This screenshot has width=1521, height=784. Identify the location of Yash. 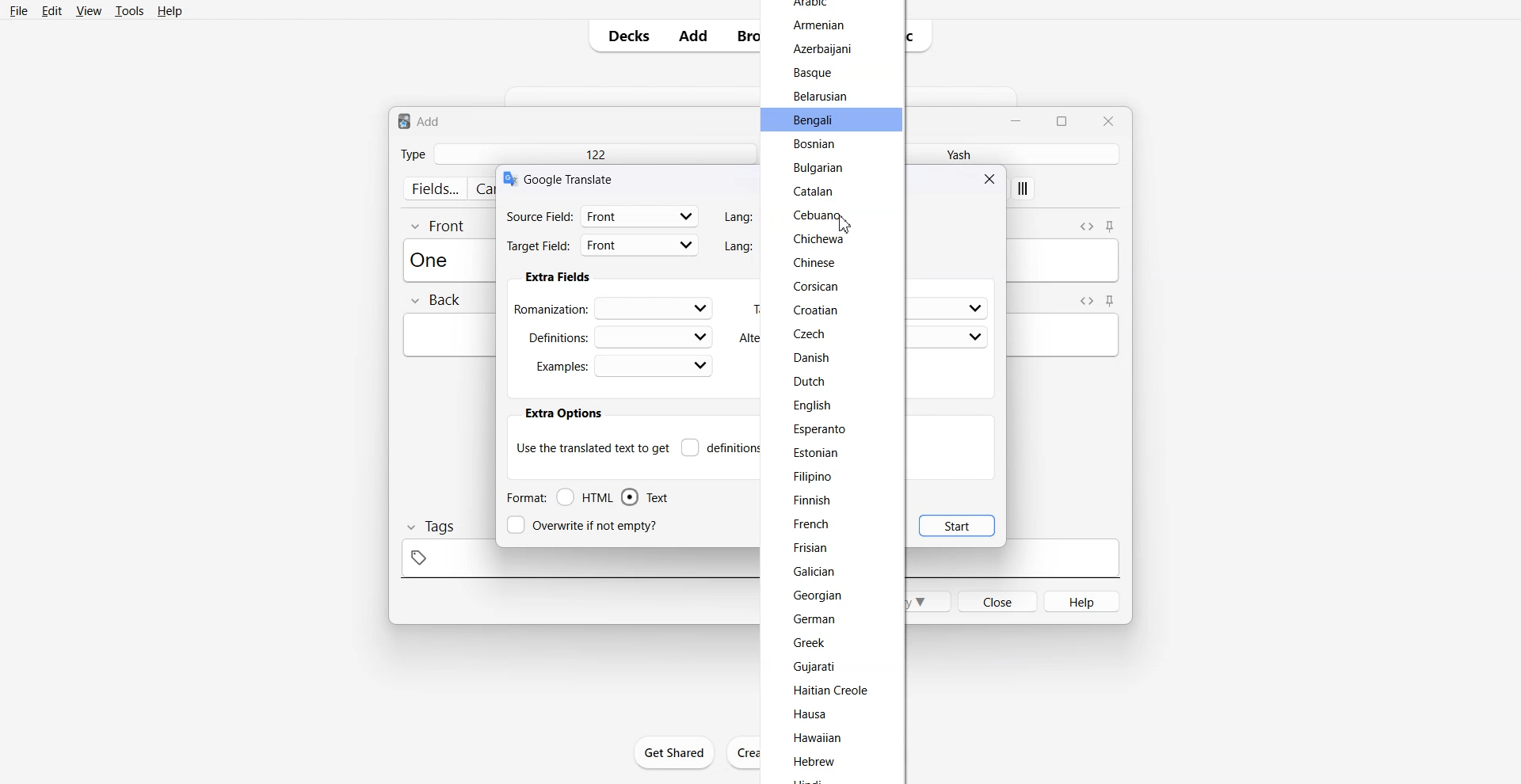
(955, 154).